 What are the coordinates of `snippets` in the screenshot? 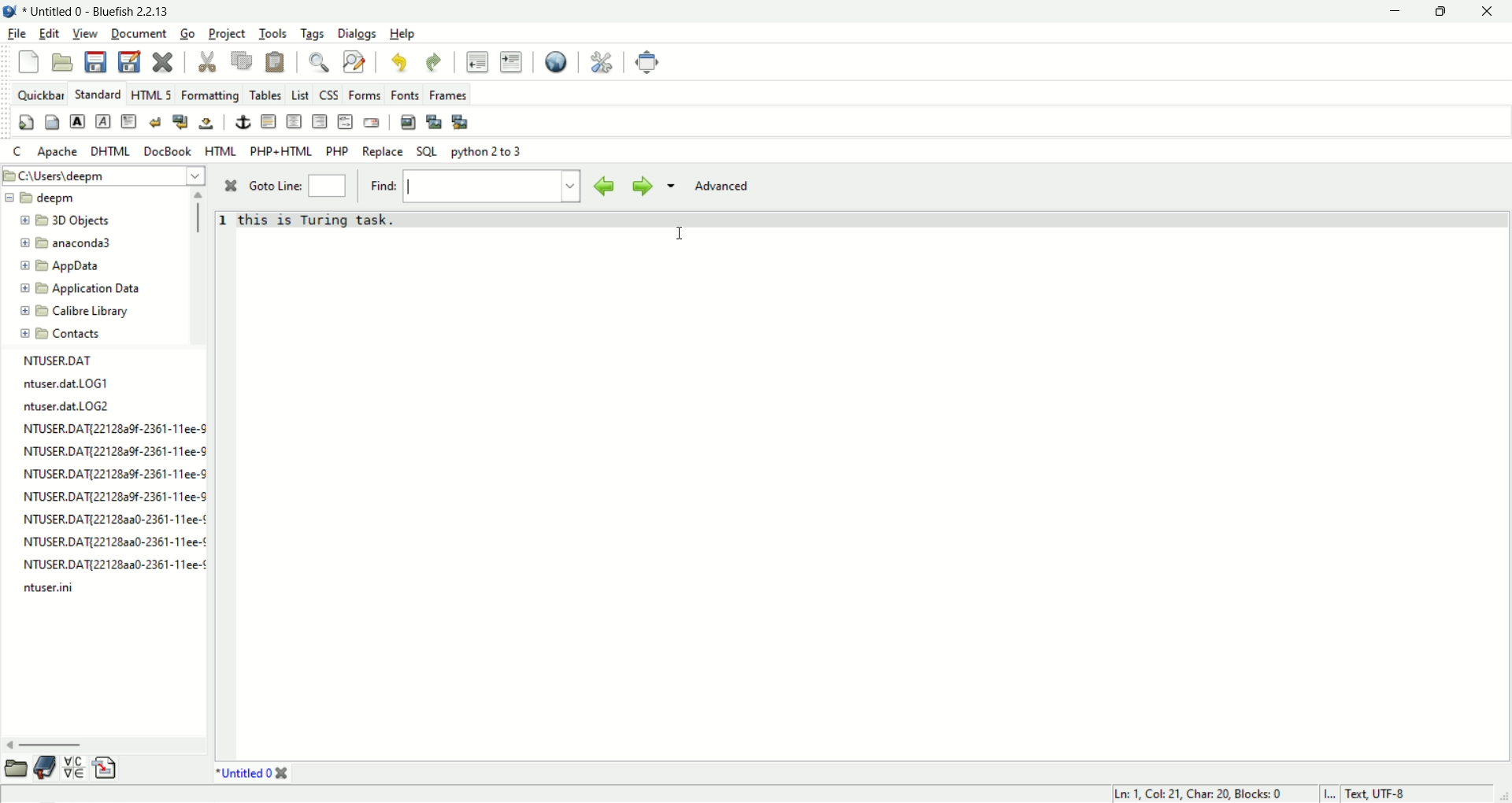 It's located at (106, 771).